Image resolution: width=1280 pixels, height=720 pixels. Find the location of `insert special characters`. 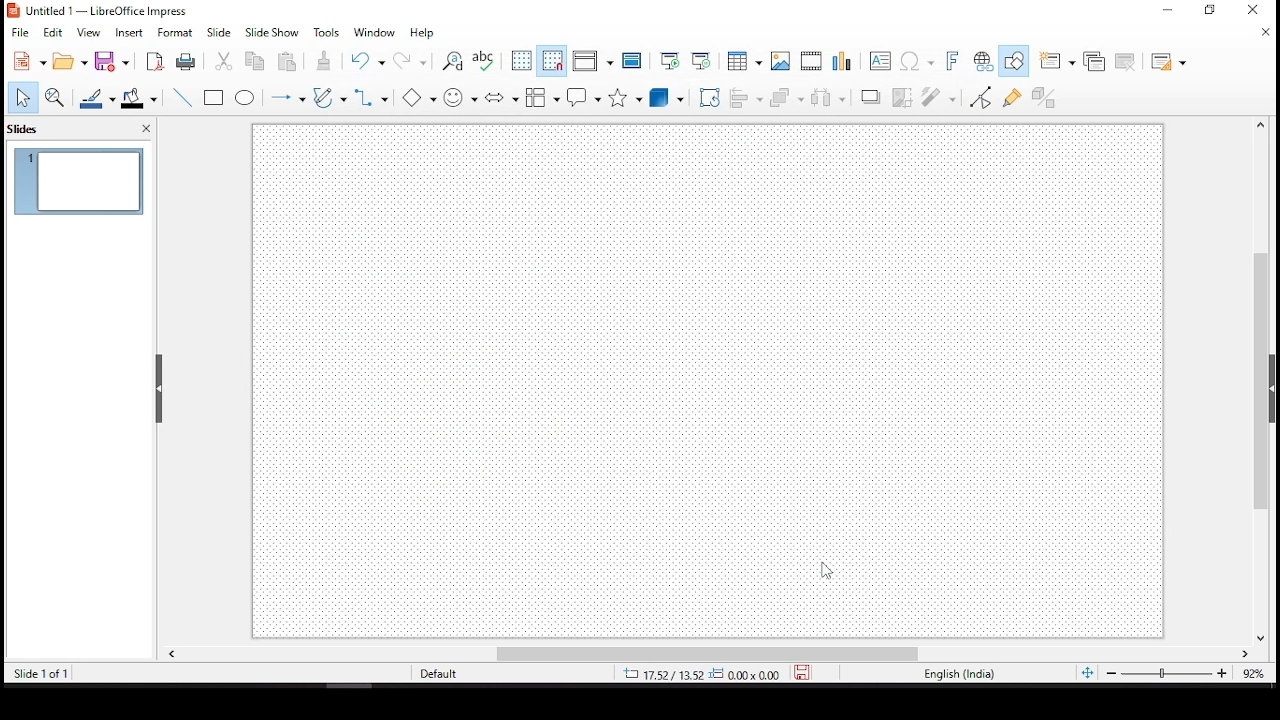

insert special characters is located at coordinates (918, 58).